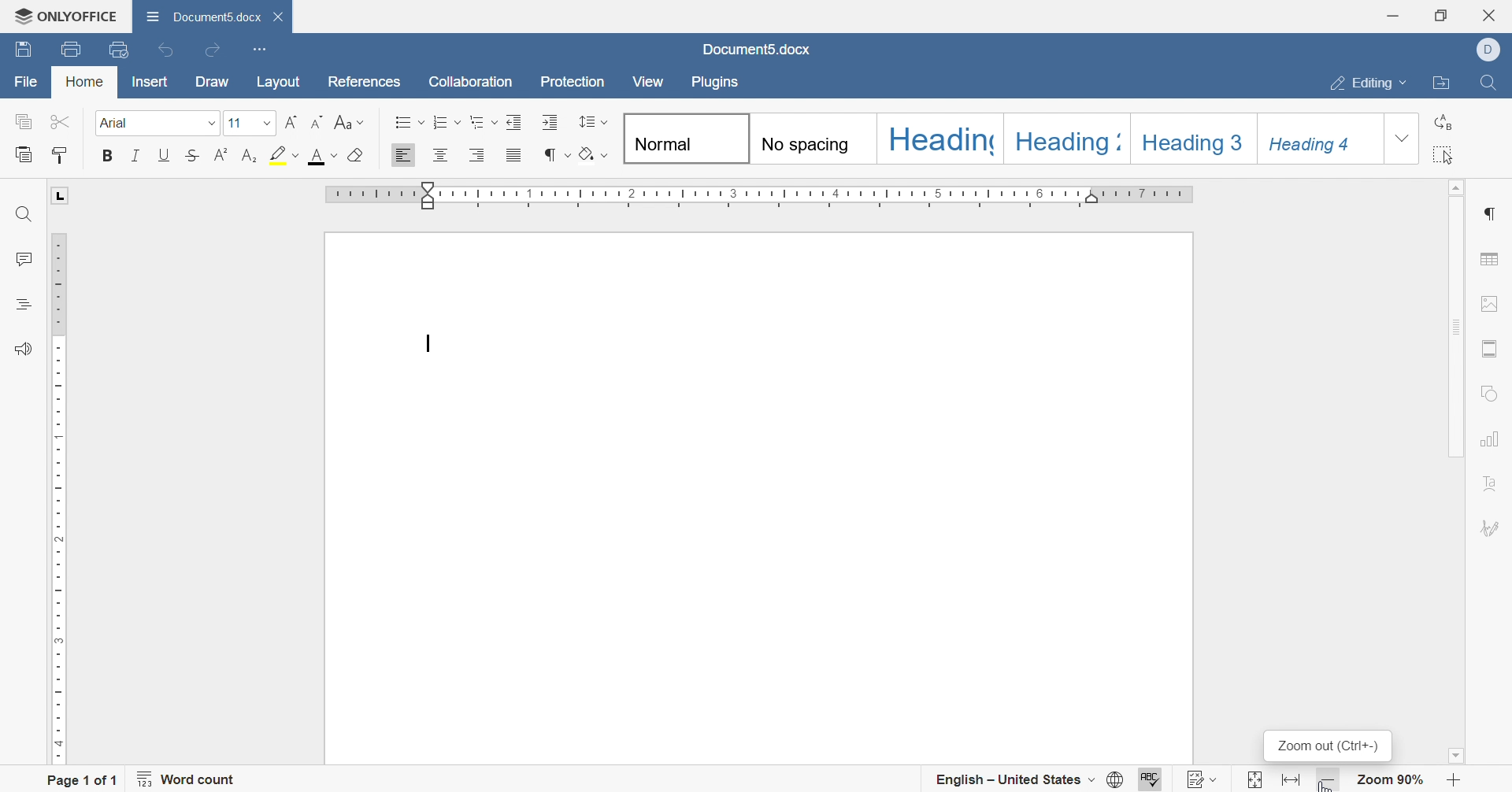 Image resolution: width=1512 pixels, height=792 pixels. I want to click on redo, so click(215, 50).